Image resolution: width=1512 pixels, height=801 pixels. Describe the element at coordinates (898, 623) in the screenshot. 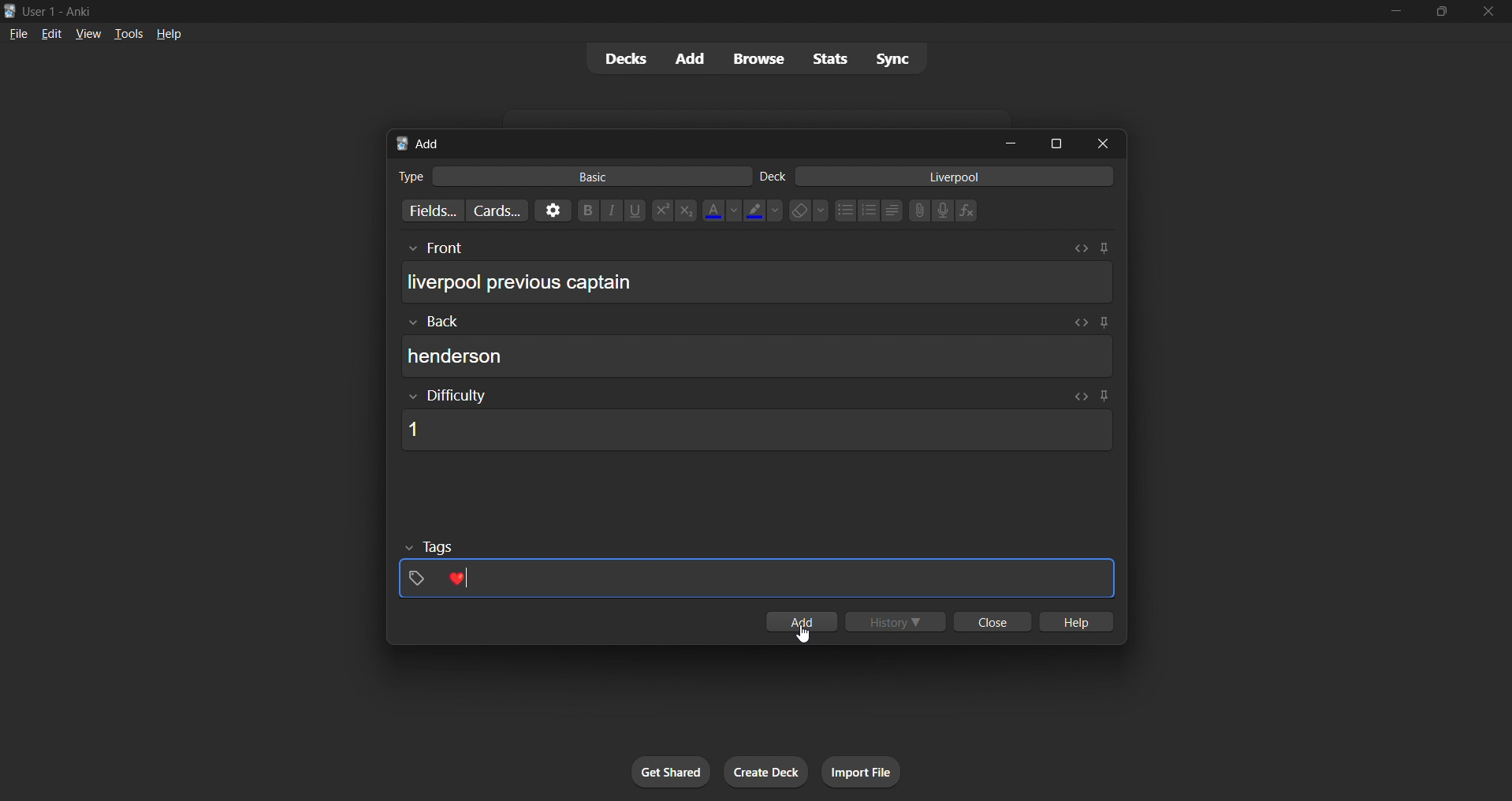

I see `history` at that location.